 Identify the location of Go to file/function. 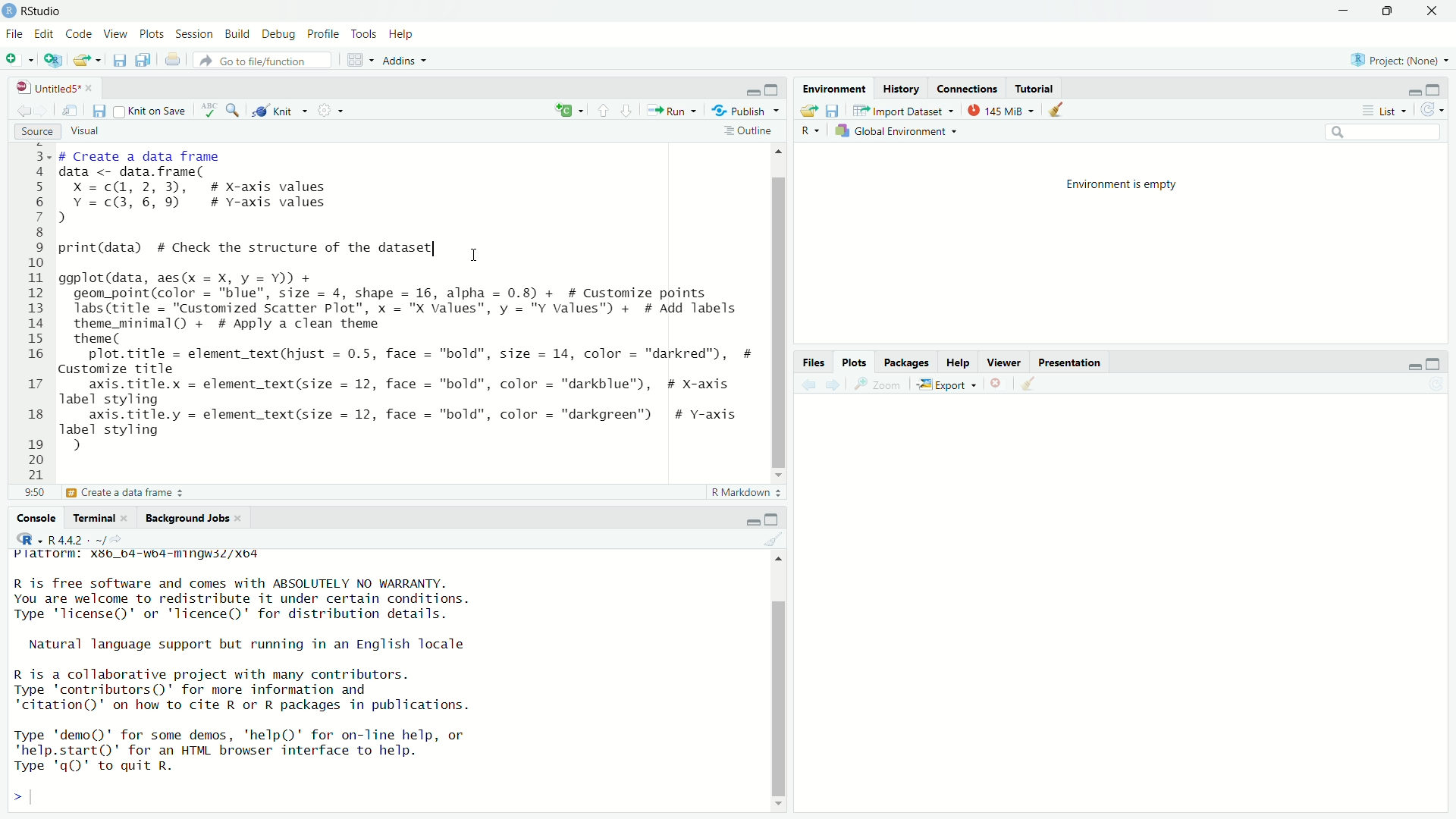
(262, 60).